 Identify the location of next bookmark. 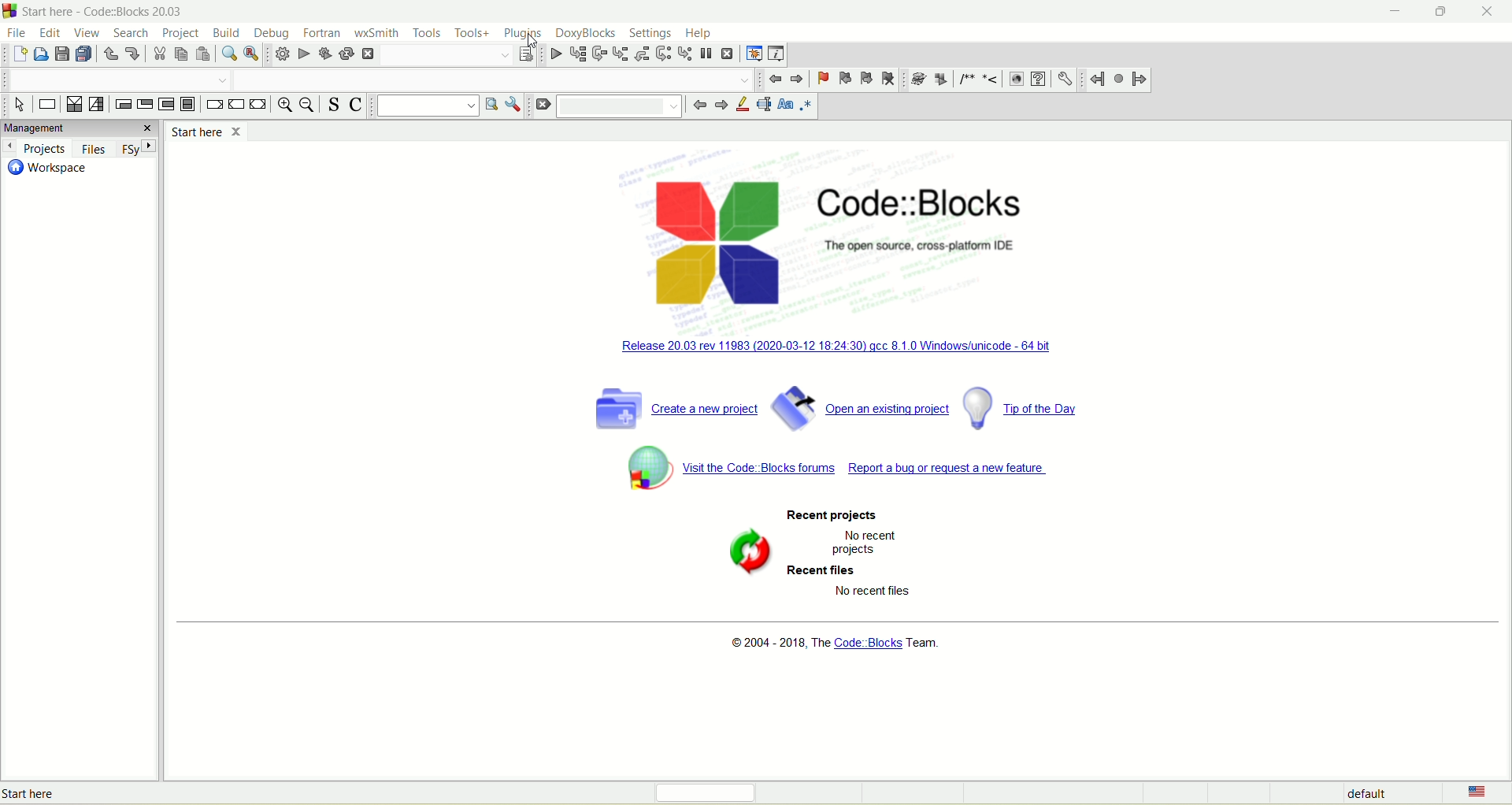
(865, 76).